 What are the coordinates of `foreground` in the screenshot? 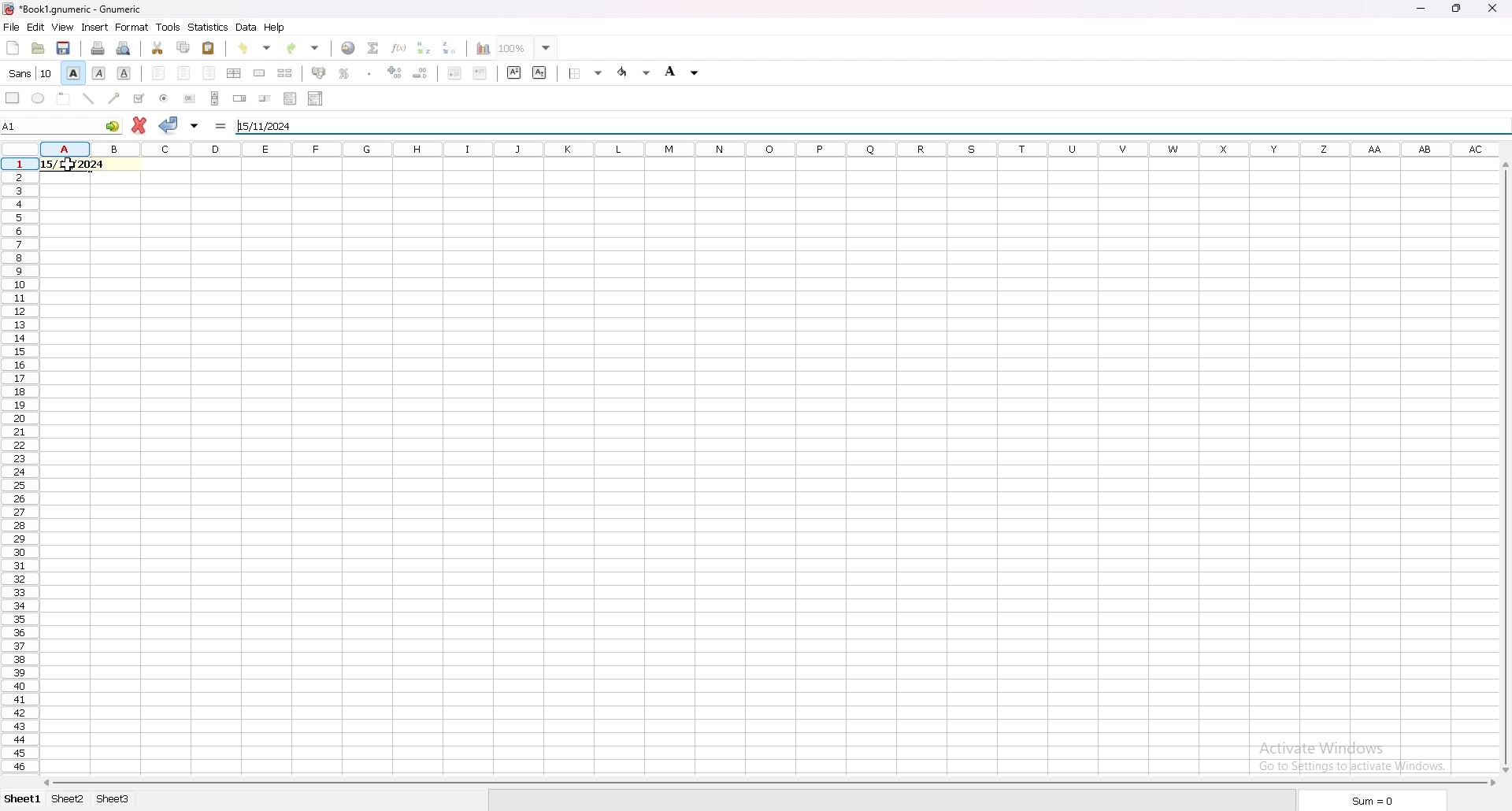 It's located at (681, 72).